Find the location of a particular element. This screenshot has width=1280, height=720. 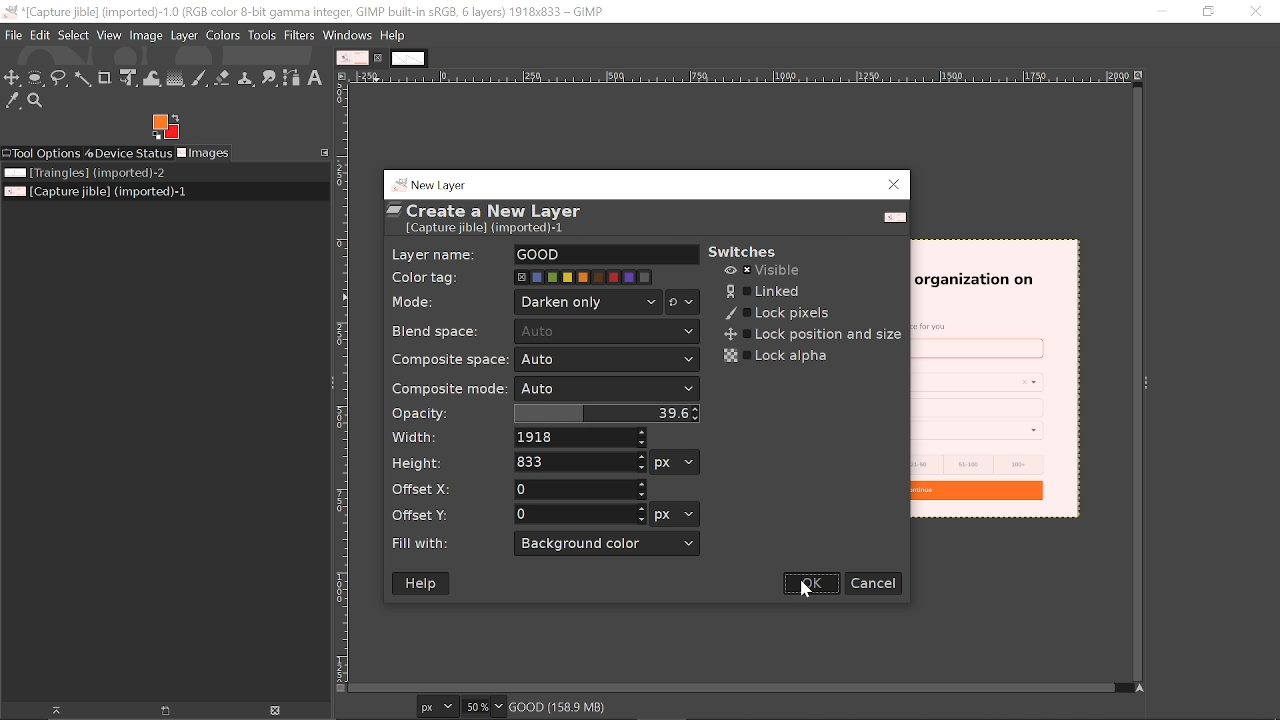

Navigate this display is located at coordinates (1142, 689).